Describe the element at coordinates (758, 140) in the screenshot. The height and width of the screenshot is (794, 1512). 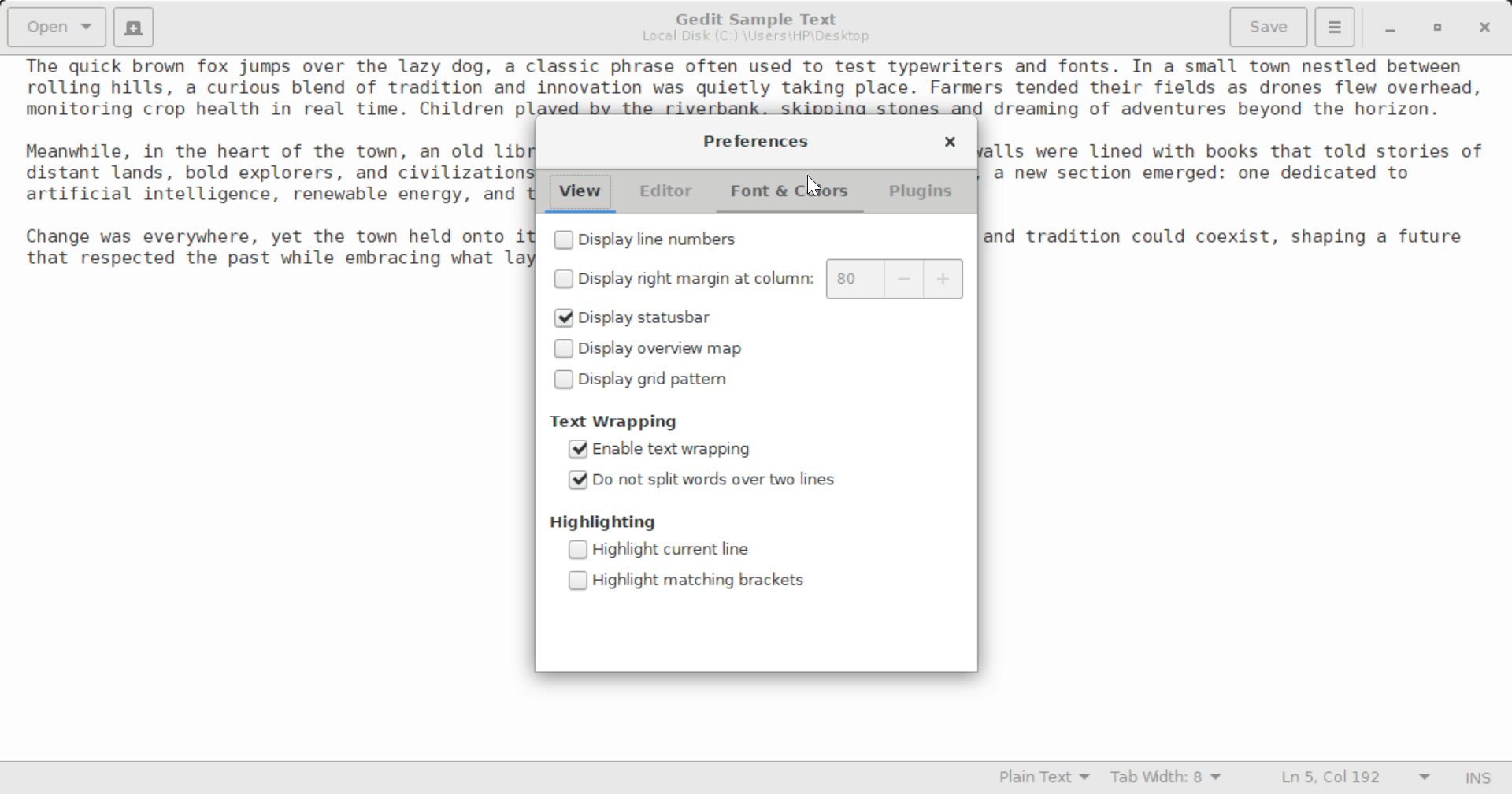
I see `Preferences Setting Window` at that location.